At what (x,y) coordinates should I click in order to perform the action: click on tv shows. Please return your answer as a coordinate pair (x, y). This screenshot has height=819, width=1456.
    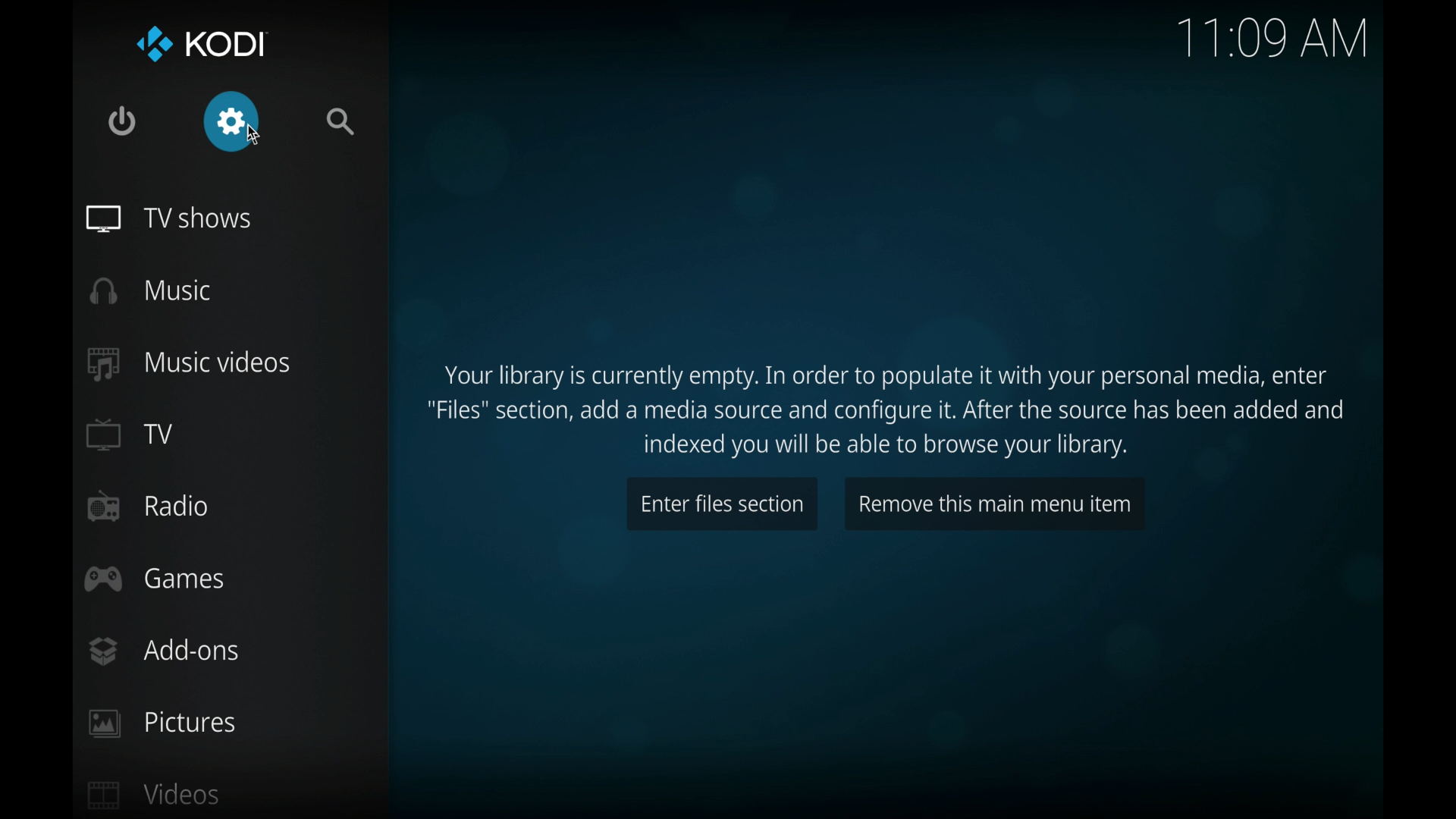
    Looking at the image, I should click on (169, 218).